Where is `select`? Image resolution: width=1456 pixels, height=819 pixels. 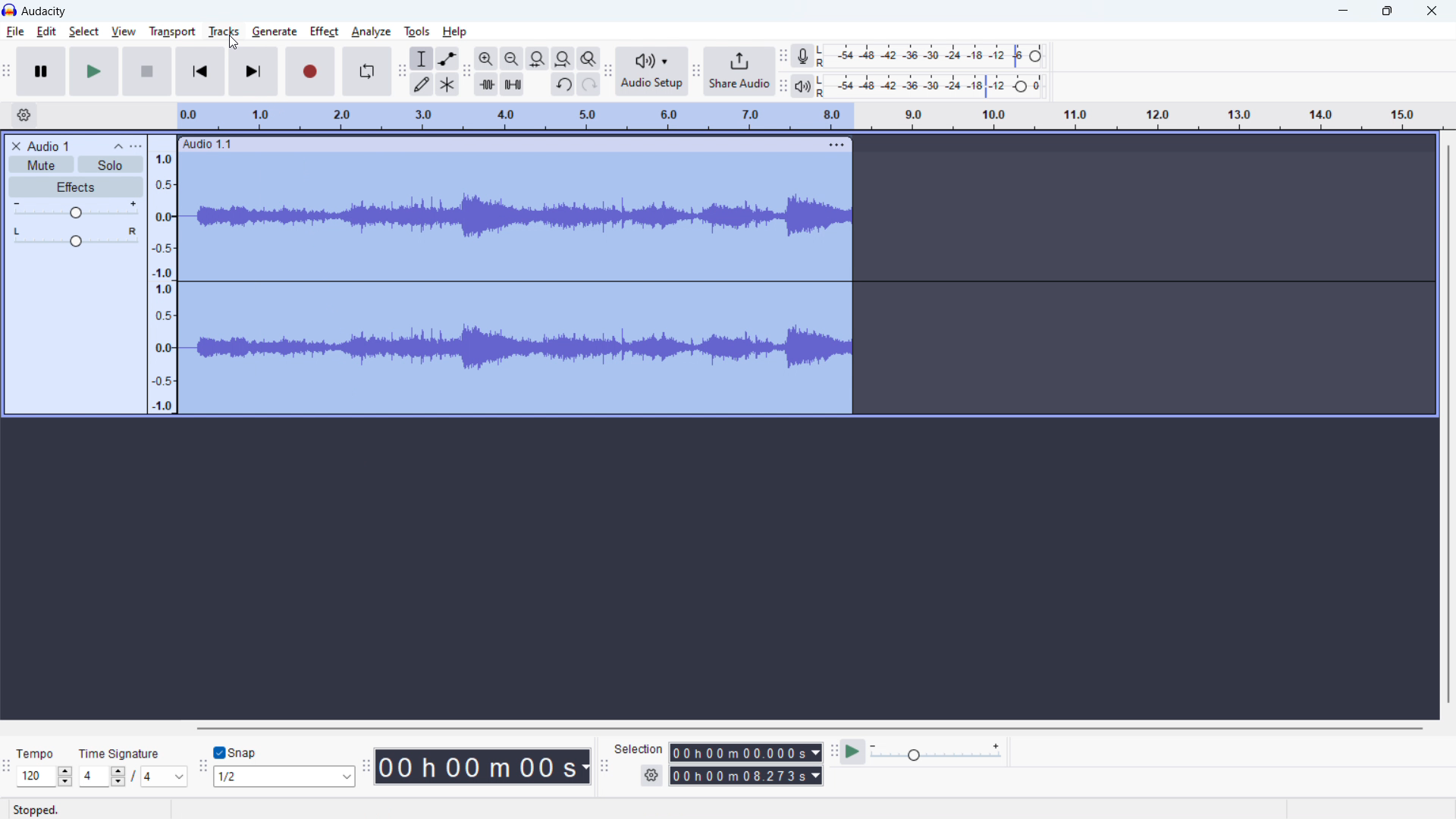 select is located at coordinates (83, 32).